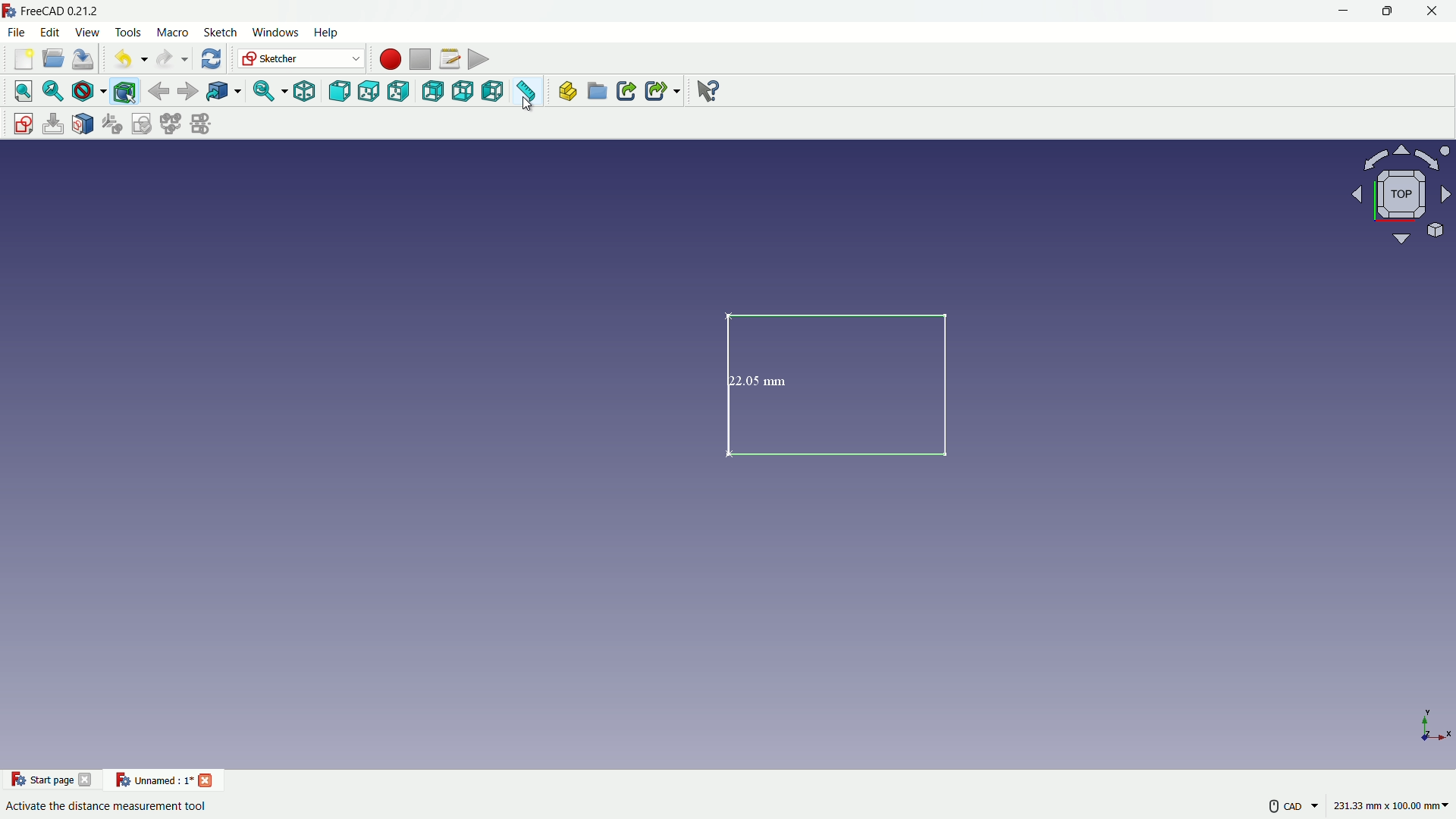 The image size is (1456, 819). What do you see at coordinates (115, 124) in the screenshot?
I see `reorient sketches` at bounding box center [115, 124].